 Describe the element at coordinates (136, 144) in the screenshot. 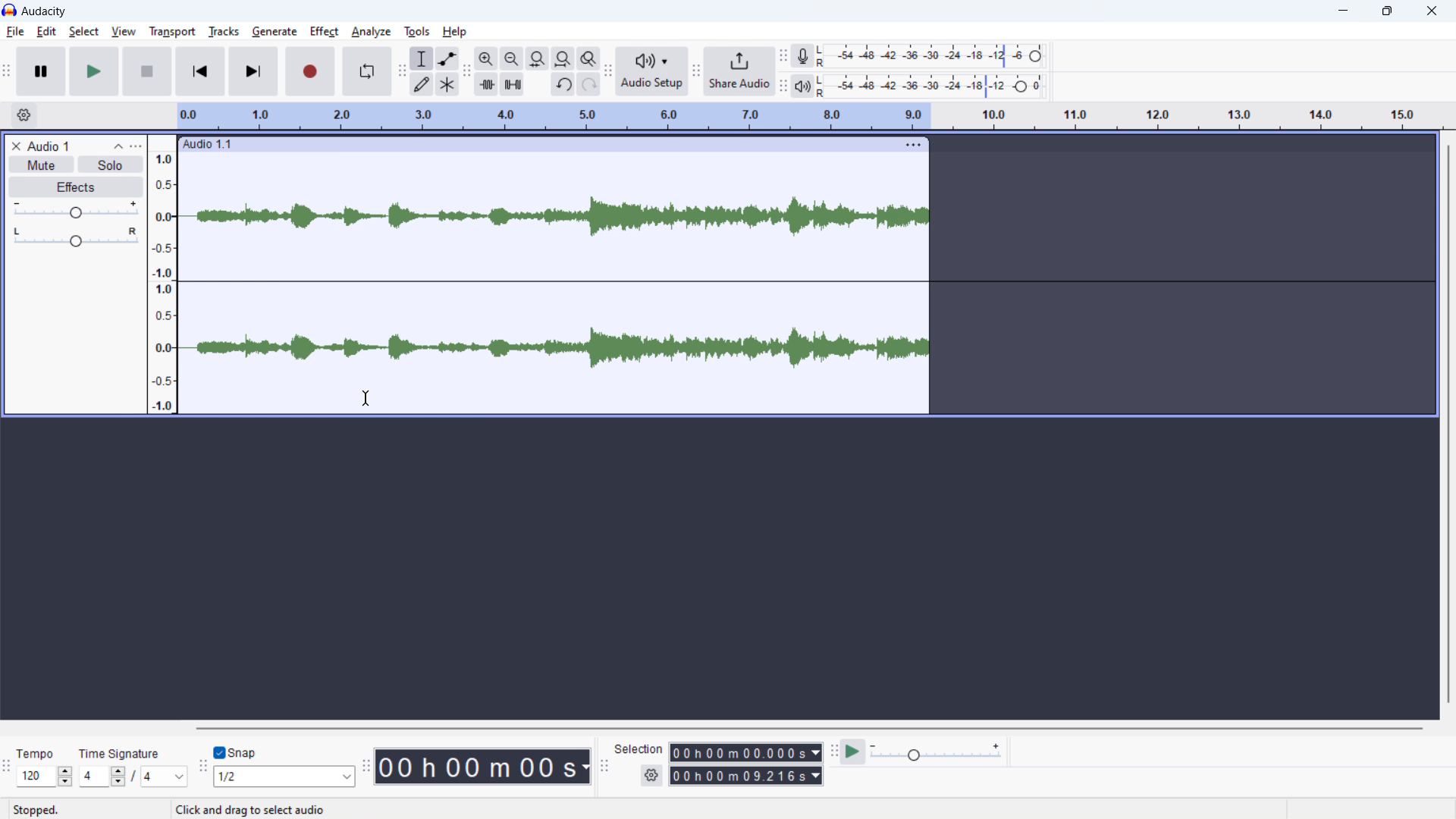

I see `track control panel menu` at that location.